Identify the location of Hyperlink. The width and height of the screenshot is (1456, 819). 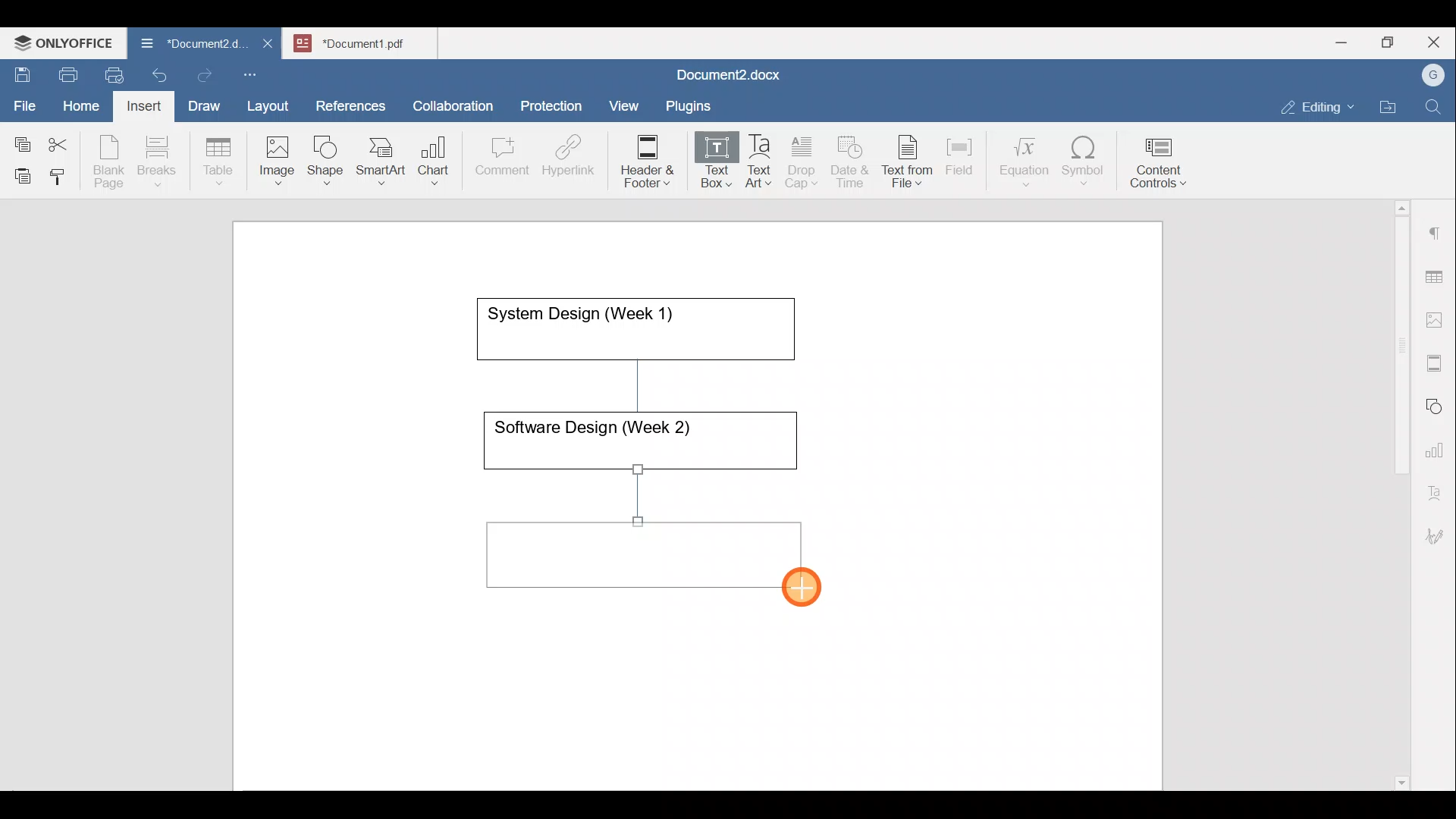
(573, 160).